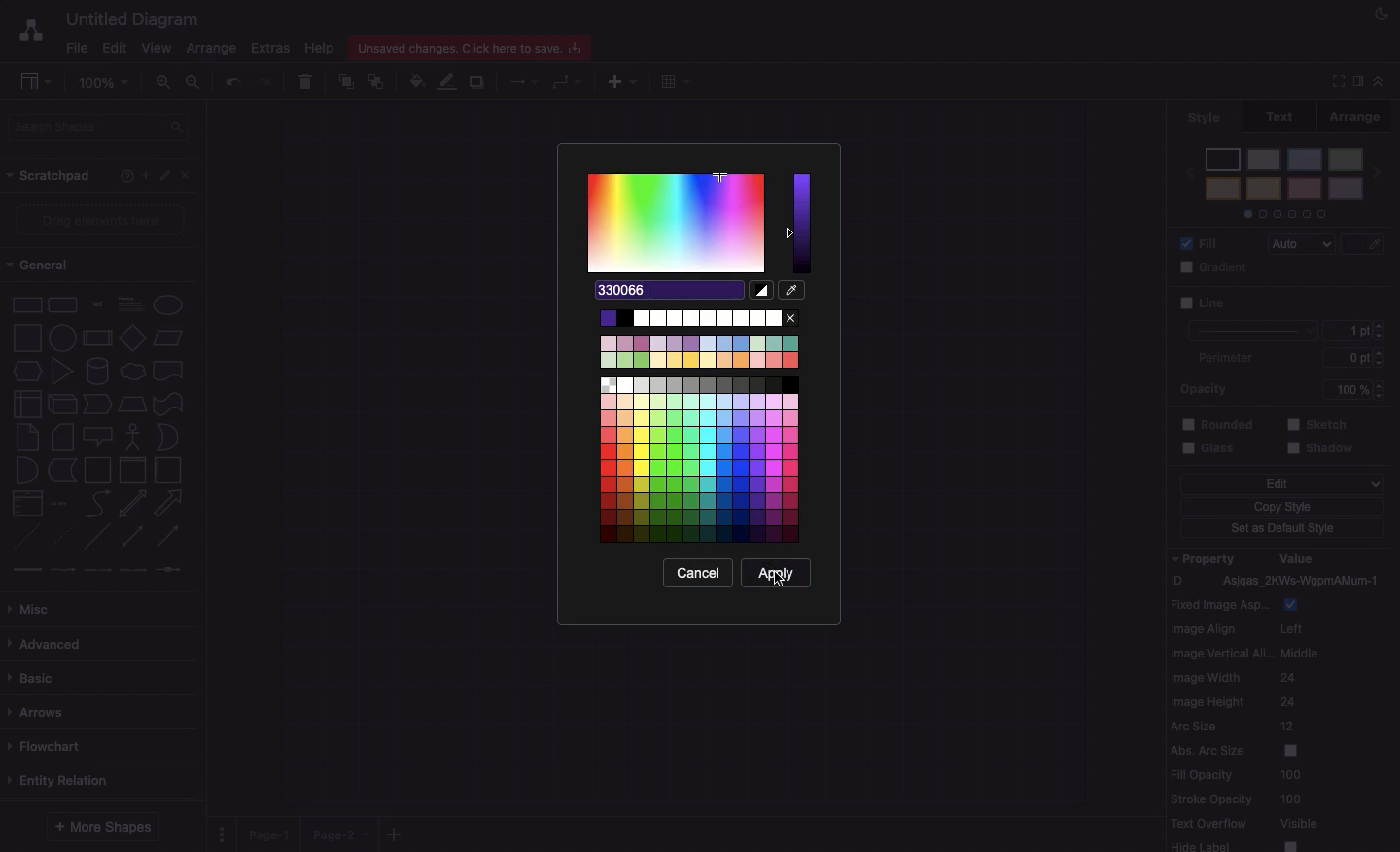 This screenshot has height=852, width=1400. I want to click on Fill color, so click(419, 79).